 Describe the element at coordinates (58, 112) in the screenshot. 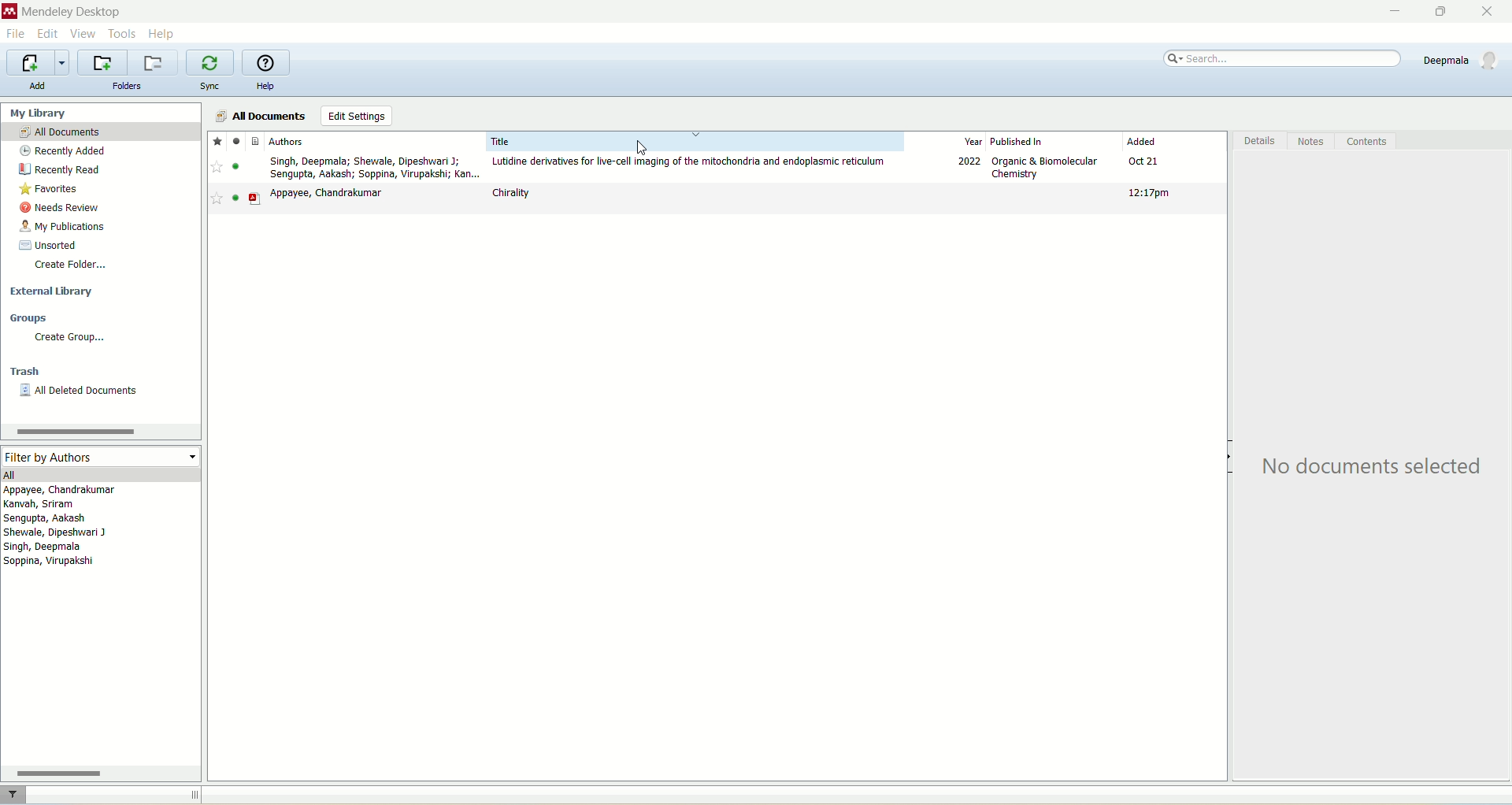

I see `my library` at that location.